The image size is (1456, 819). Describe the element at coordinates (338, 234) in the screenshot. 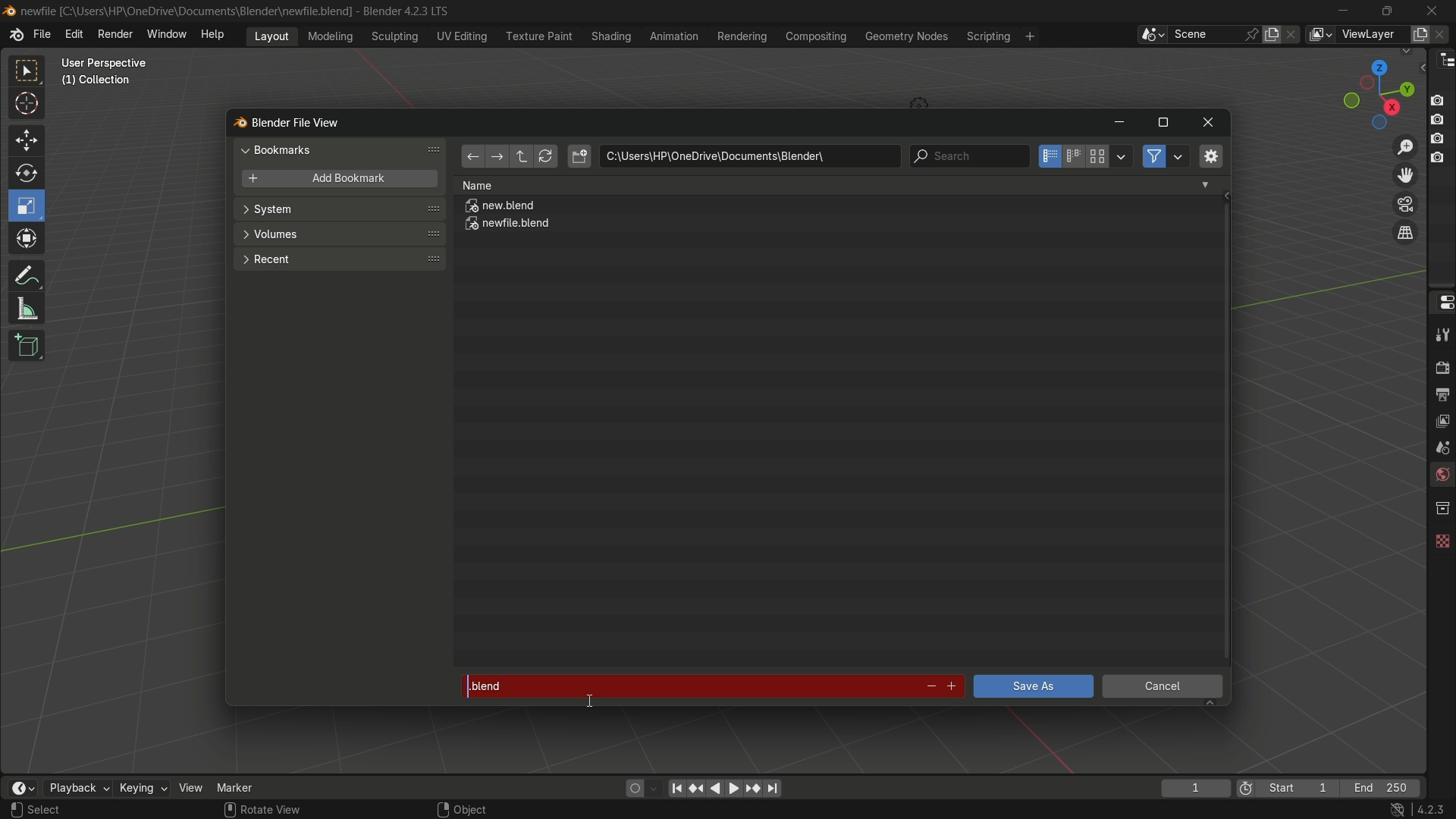

I see `volumes` at that location.